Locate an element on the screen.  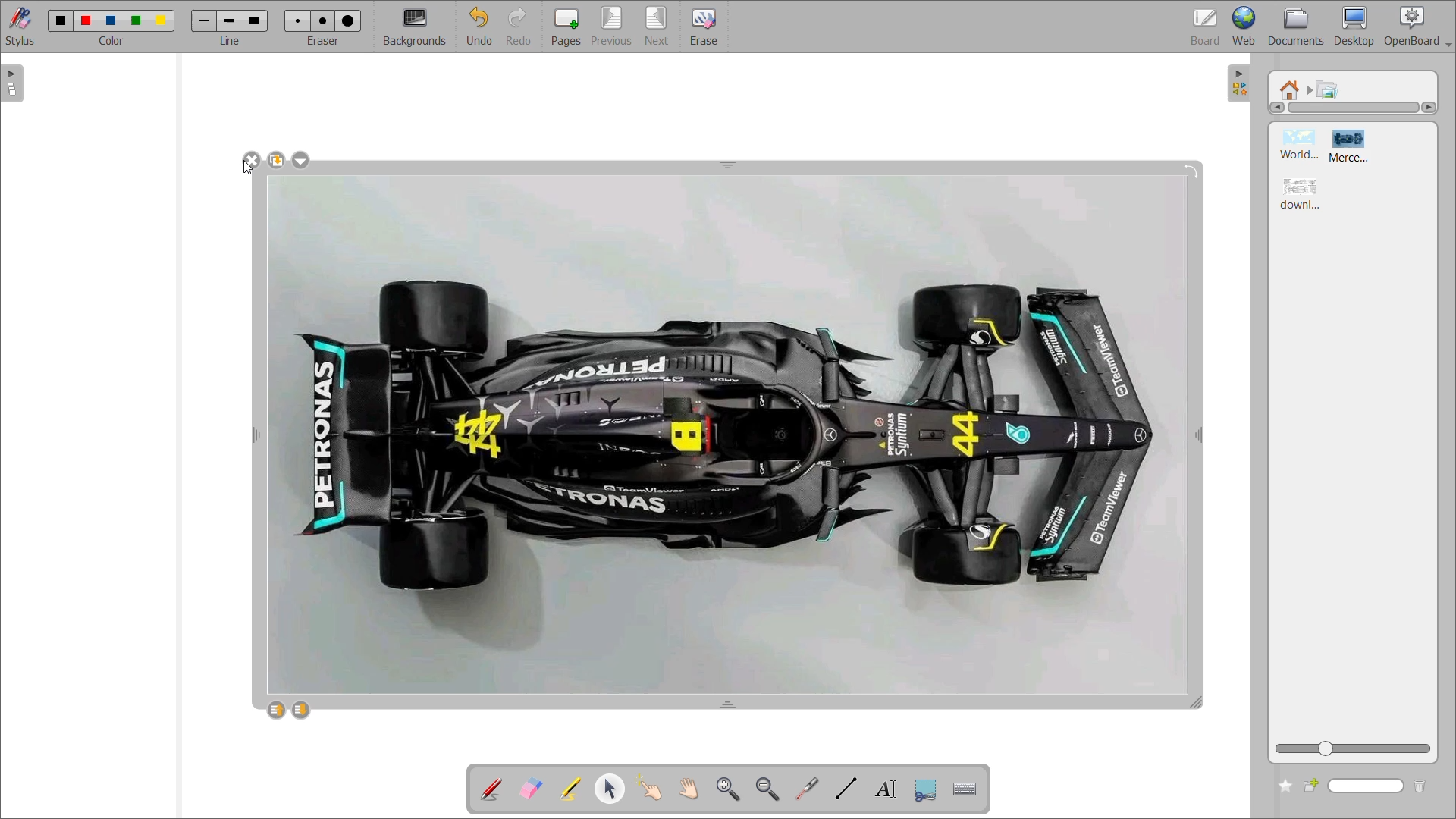
interact with items is located at coordinates (653, 790).